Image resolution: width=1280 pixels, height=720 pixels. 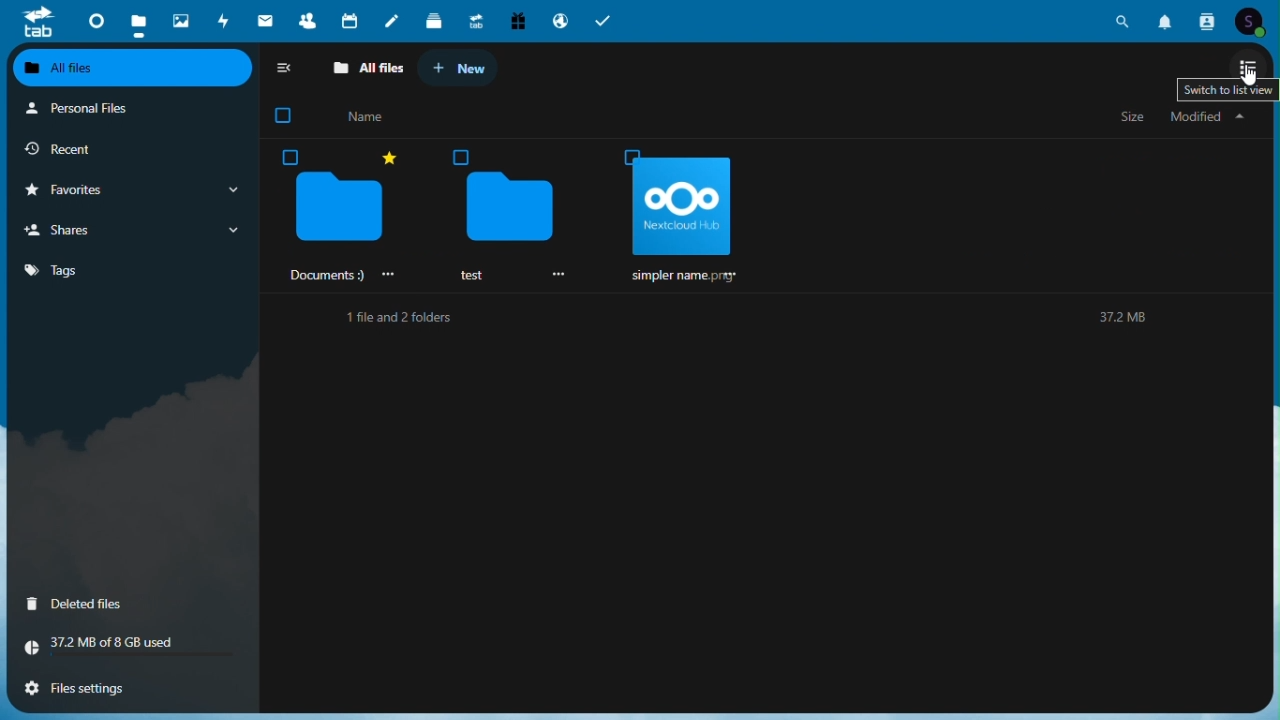 I want to click on files , so click(x=140, y=19).